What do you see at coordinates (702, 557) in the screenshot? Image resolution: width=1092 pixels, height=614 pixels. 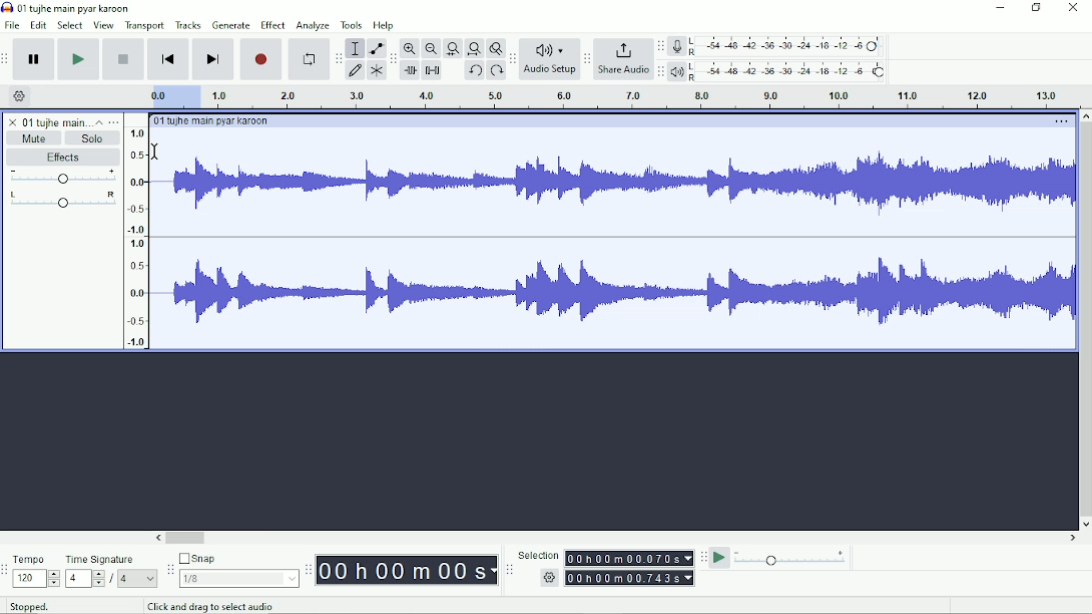 I see `Audacity play-at-speed toolbar` at bounding box center [702, 557].